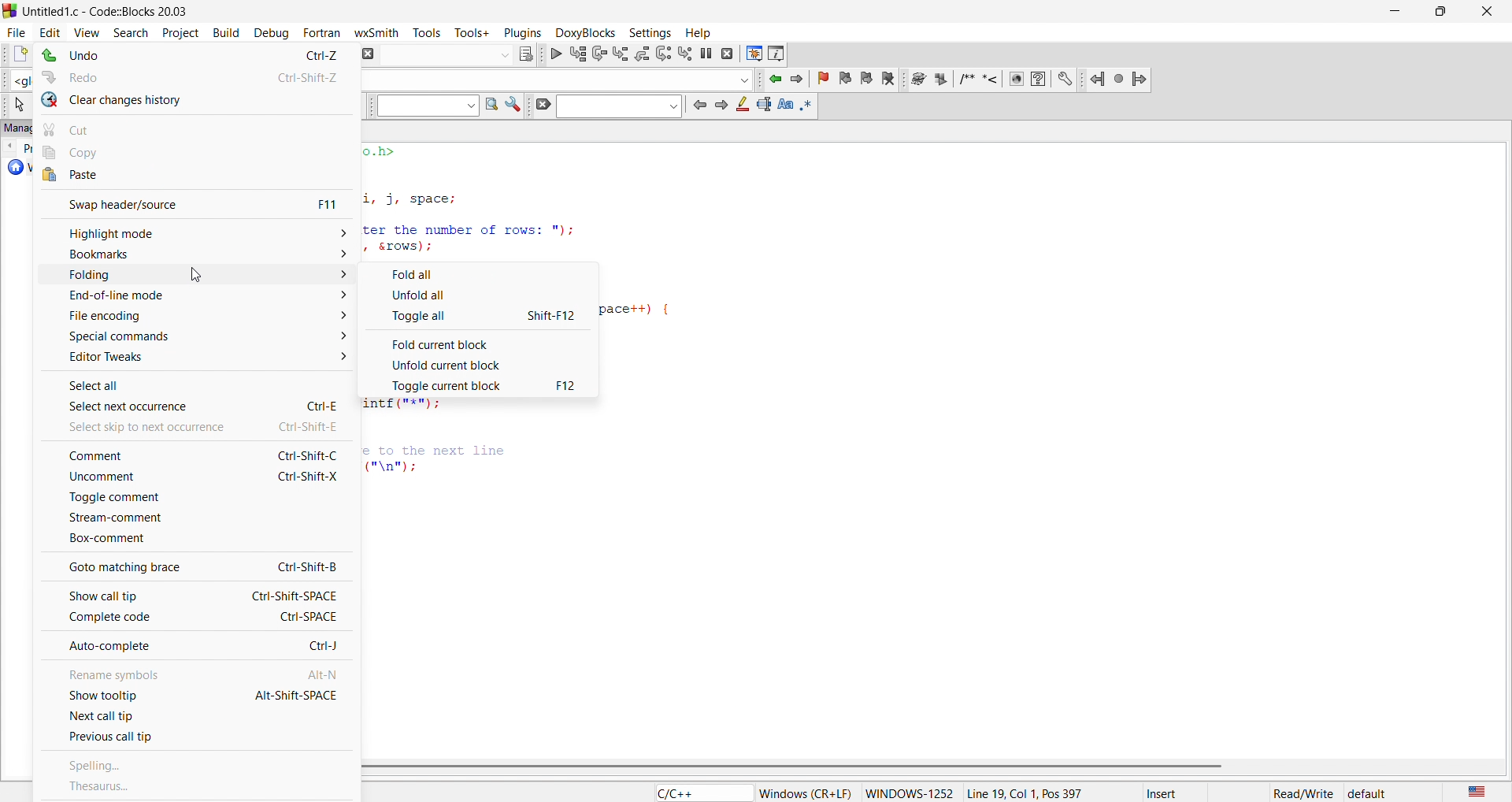 The image size is (1512, 802). I want to click on step into, so click(621, 54).